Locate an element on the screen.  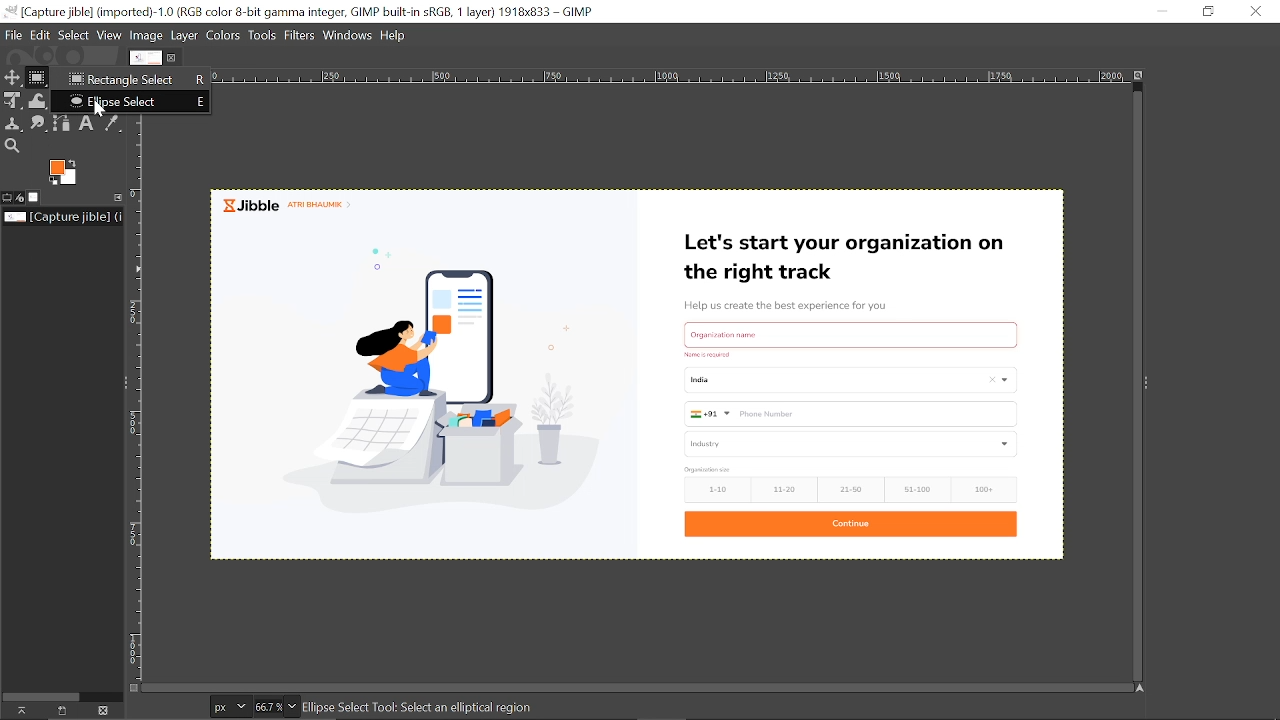
File is located at coordinates (14, 35).